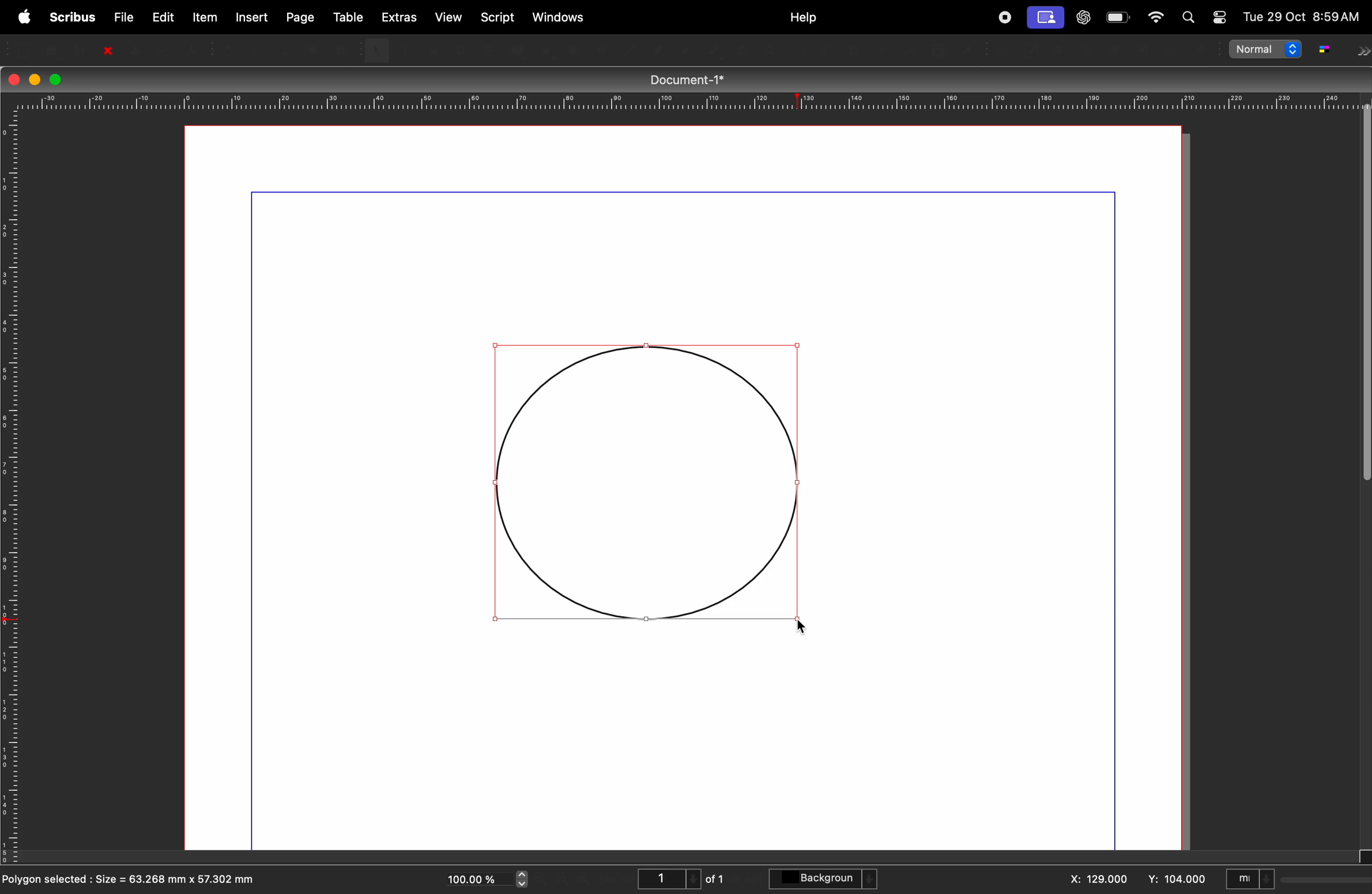 This screenshot has height=894, width=1372. Describe the element at coordinates (1250, 877) in the screenshot. I see `mI` at that location.